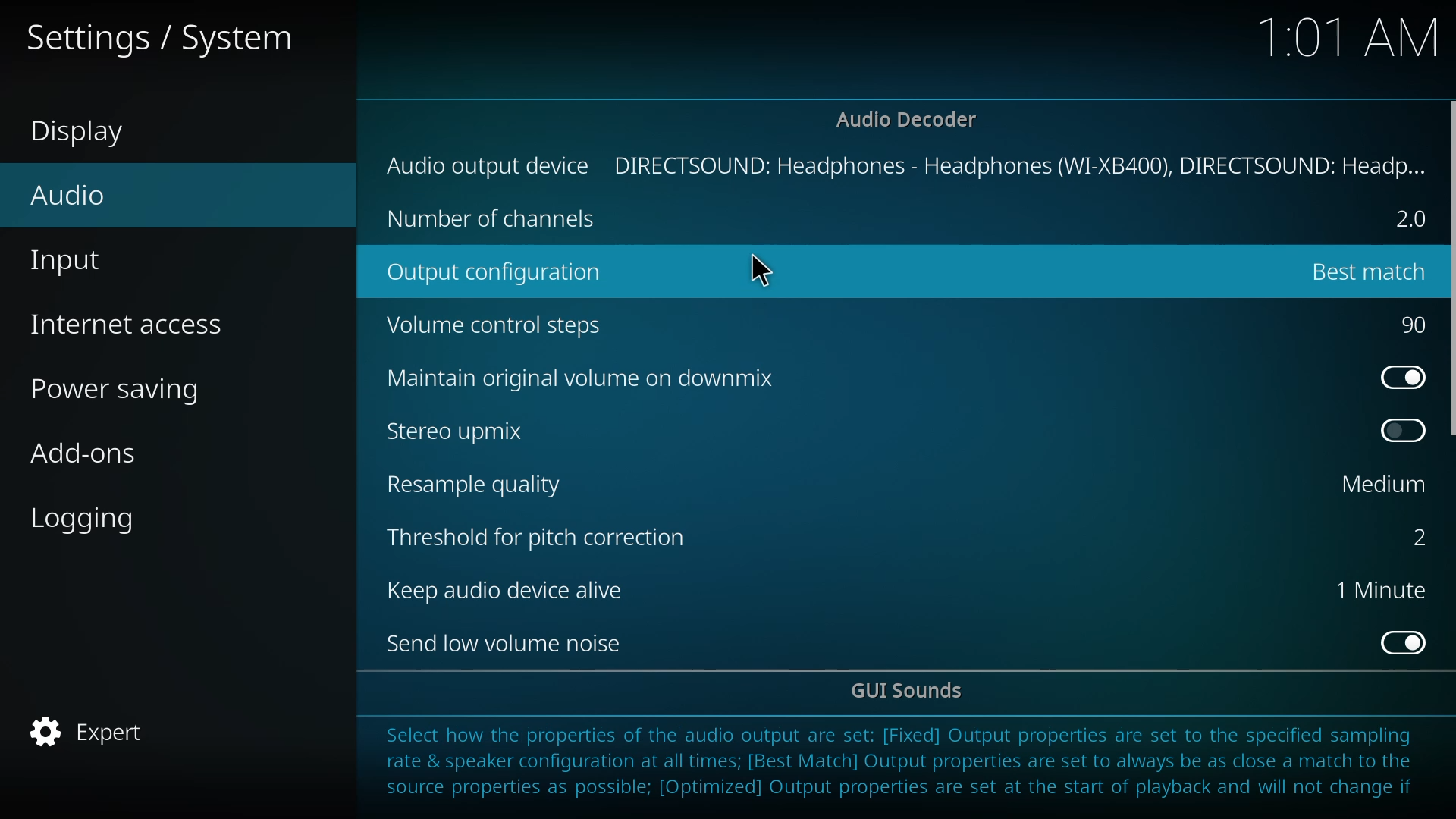  Describe the element at coordinates (505, 273) in the screenshot. I see `output config` at that location.